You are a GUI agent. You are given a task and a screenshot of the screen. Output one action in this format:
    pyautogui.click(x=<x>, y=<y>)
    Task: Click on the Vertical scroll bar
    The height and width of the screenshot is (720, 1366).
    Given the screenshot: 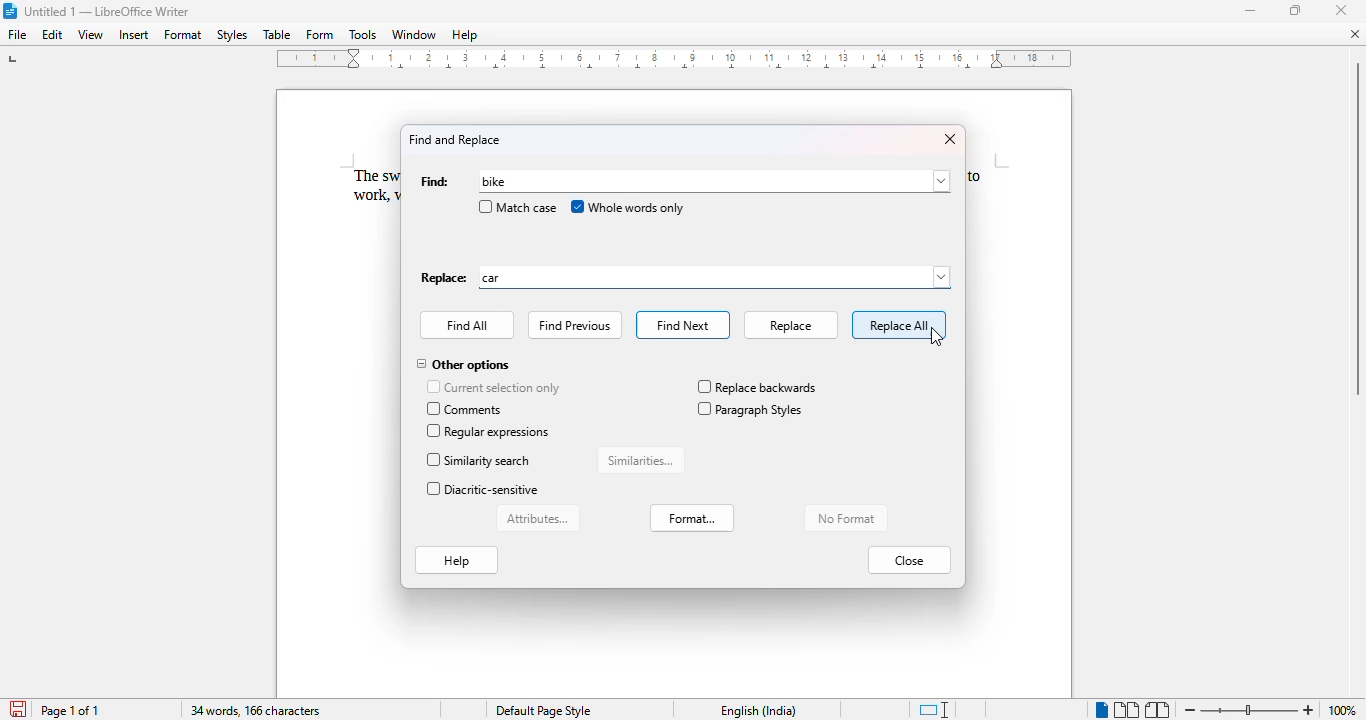 What is the action you would take?
    pyautogui.click(x=1357, y=227)
    